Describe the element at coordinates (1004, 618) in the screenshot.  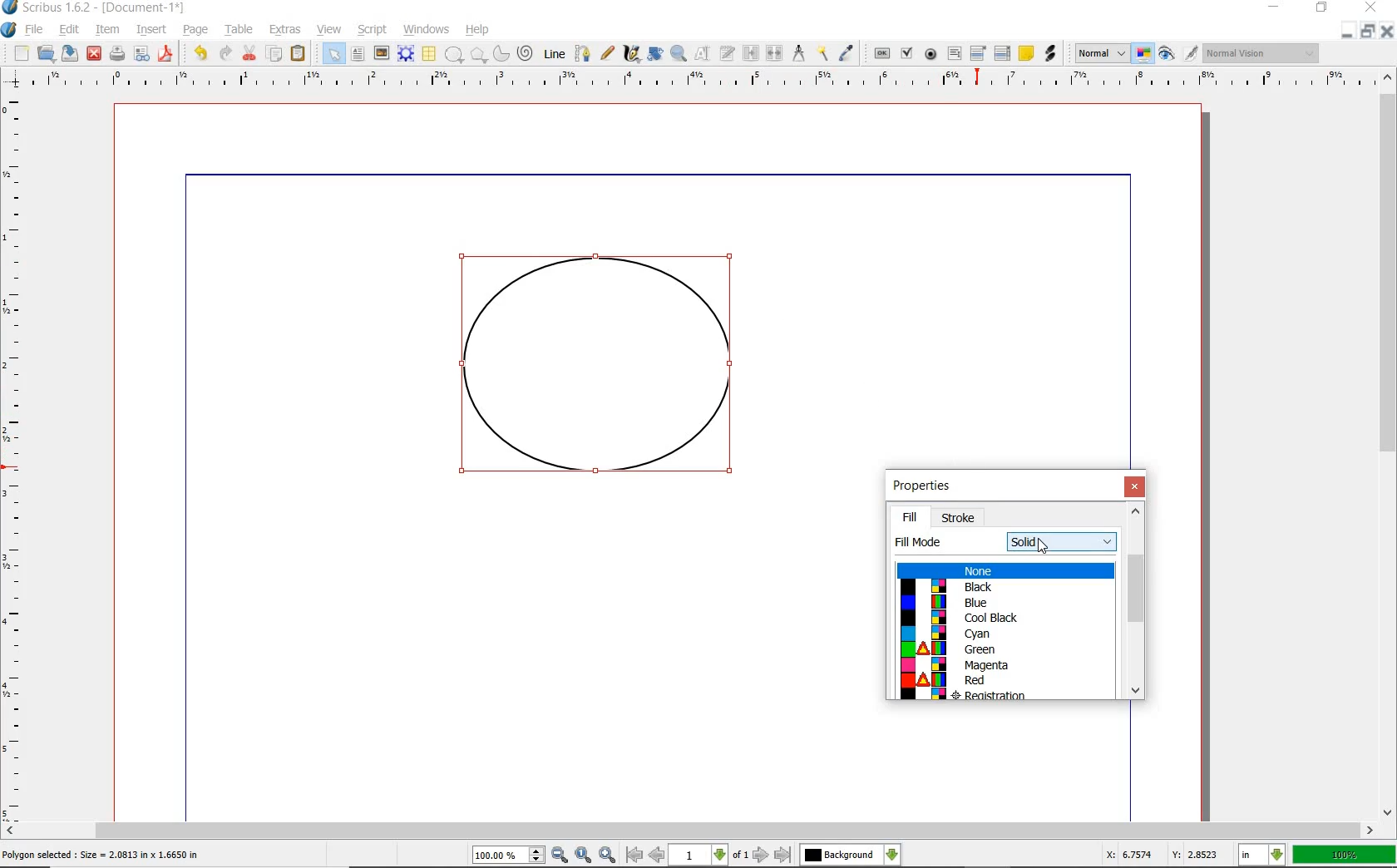
I see `color` at that location.